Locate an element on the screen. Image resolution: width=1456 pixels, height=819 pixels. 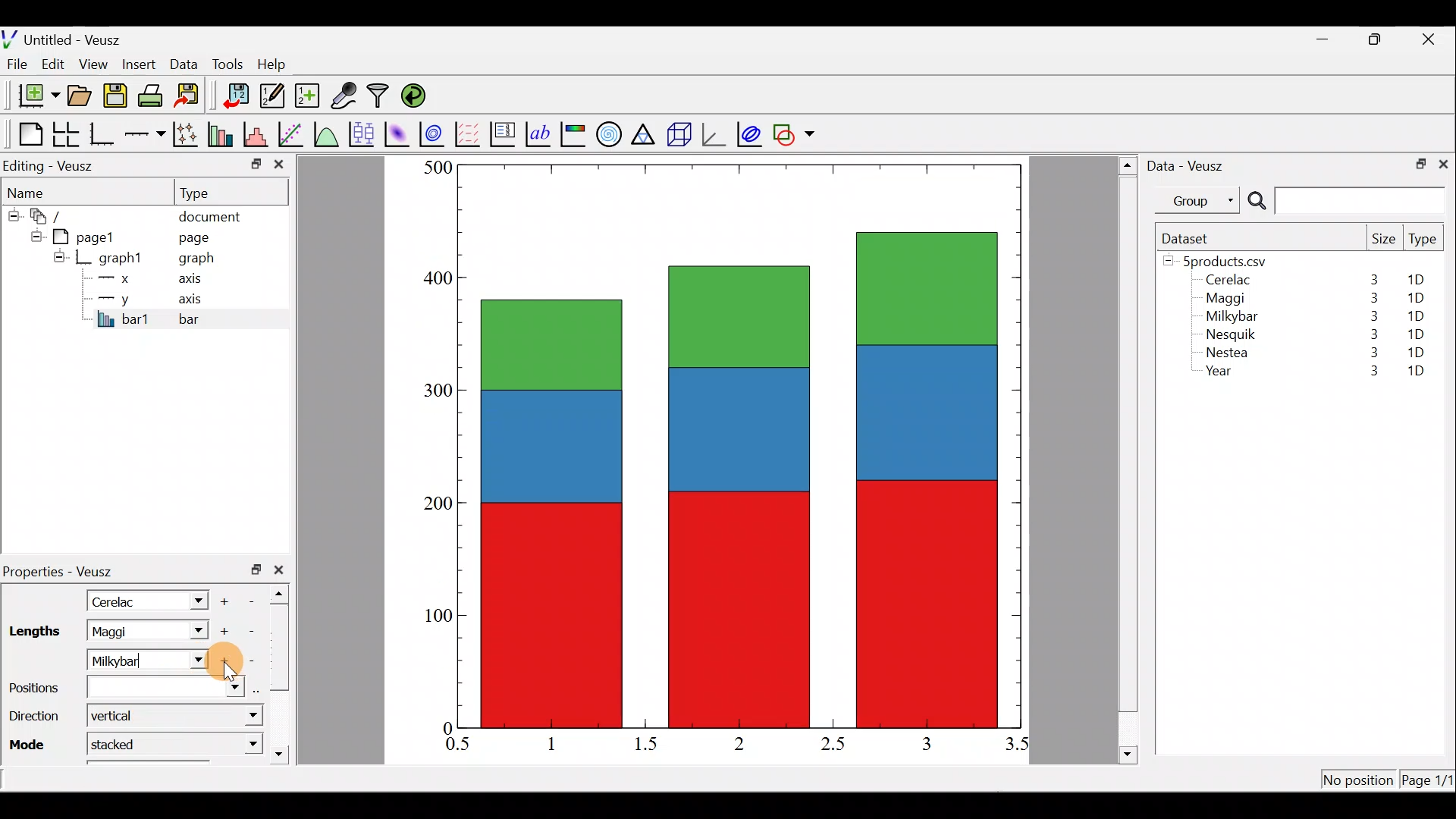
pagel is located at coordinates (90, 235).